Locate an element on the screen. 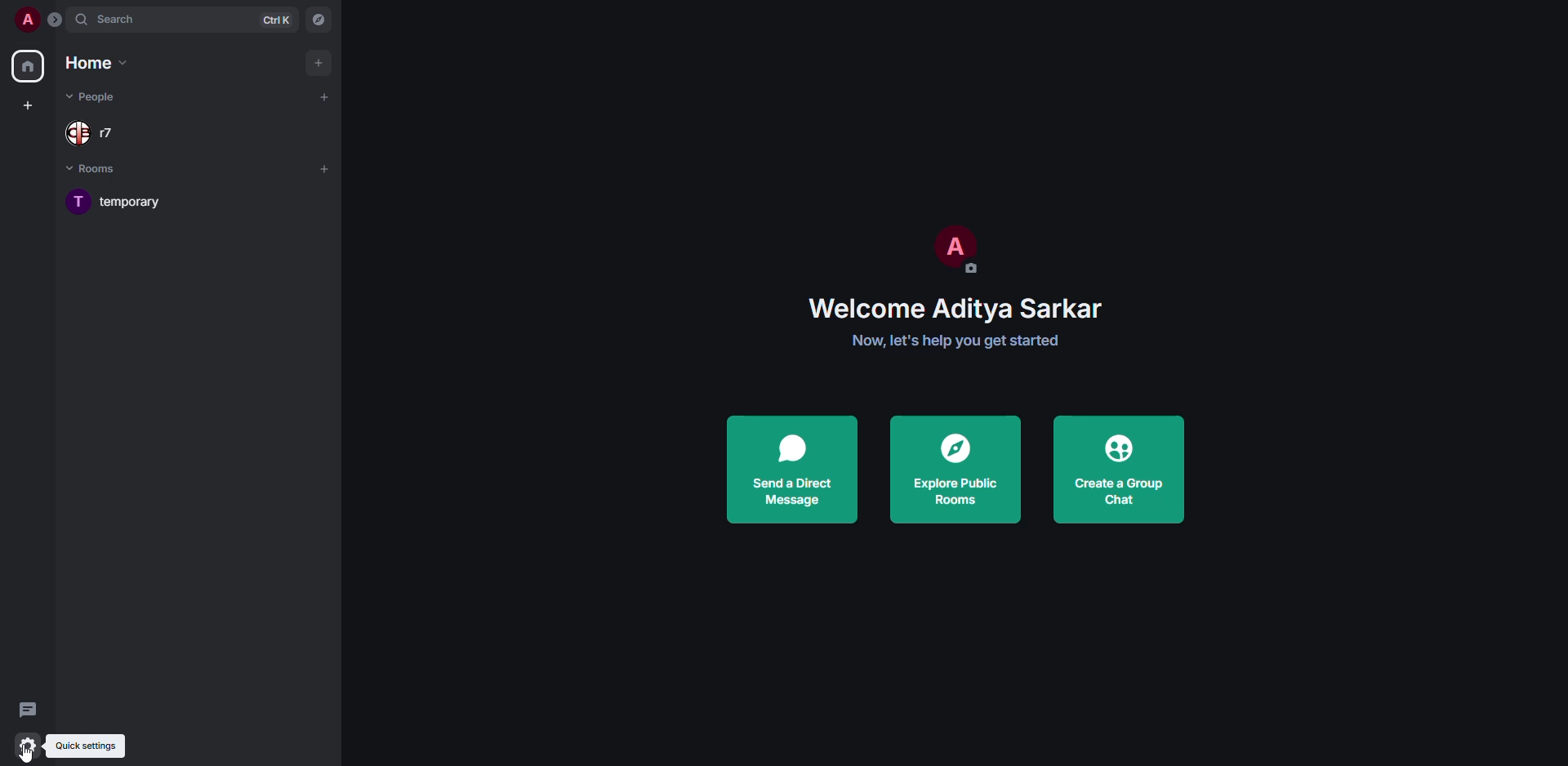 The width and height of the screenshot is (1568, 766). people is located at coordinates (104, 132).